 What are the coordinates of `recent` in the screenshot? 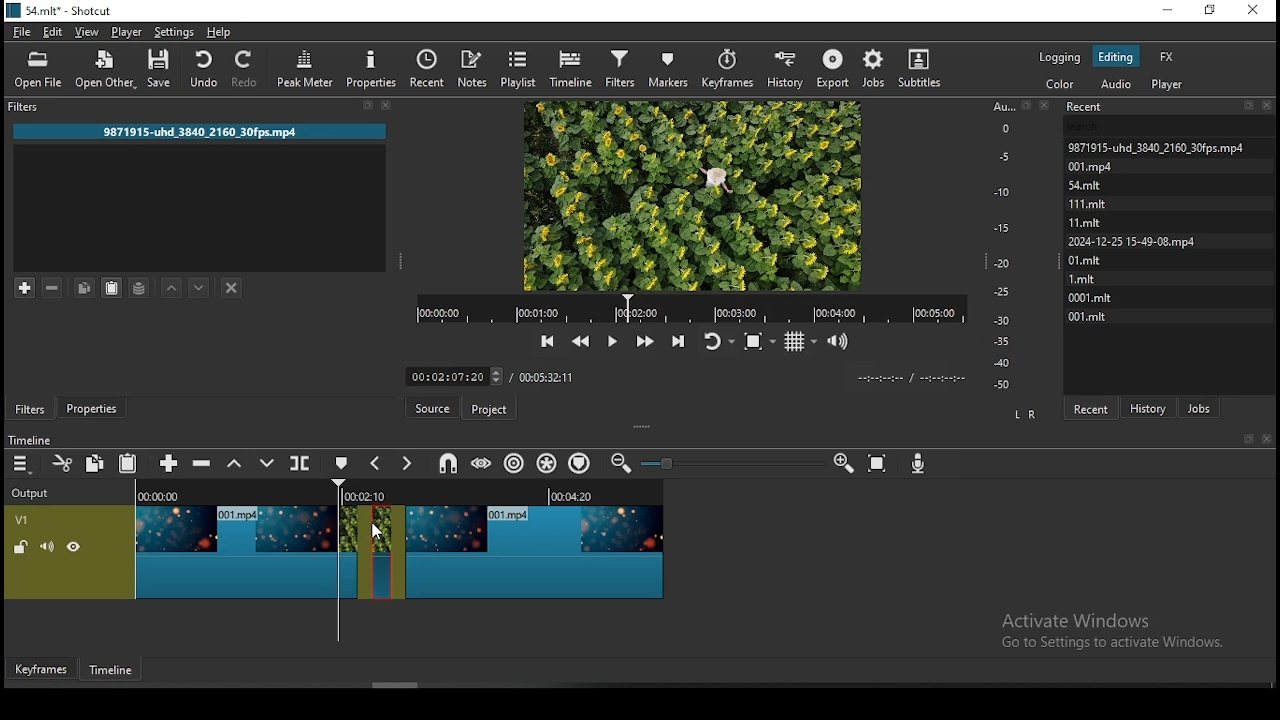 It's located at (428, 71).